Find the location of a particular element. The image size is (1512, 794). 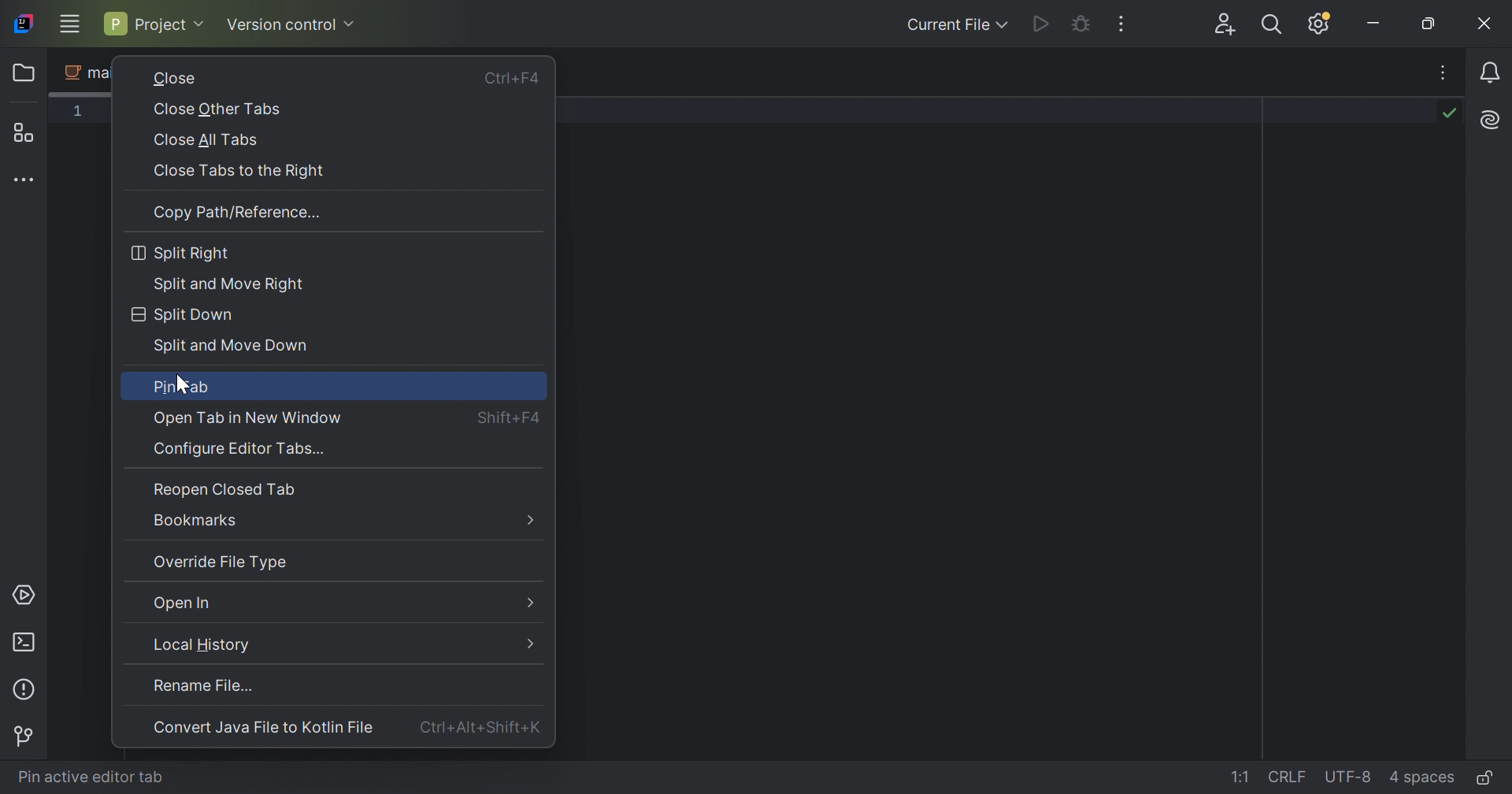

Configure editor tabs is located at coordinates (244, 450).